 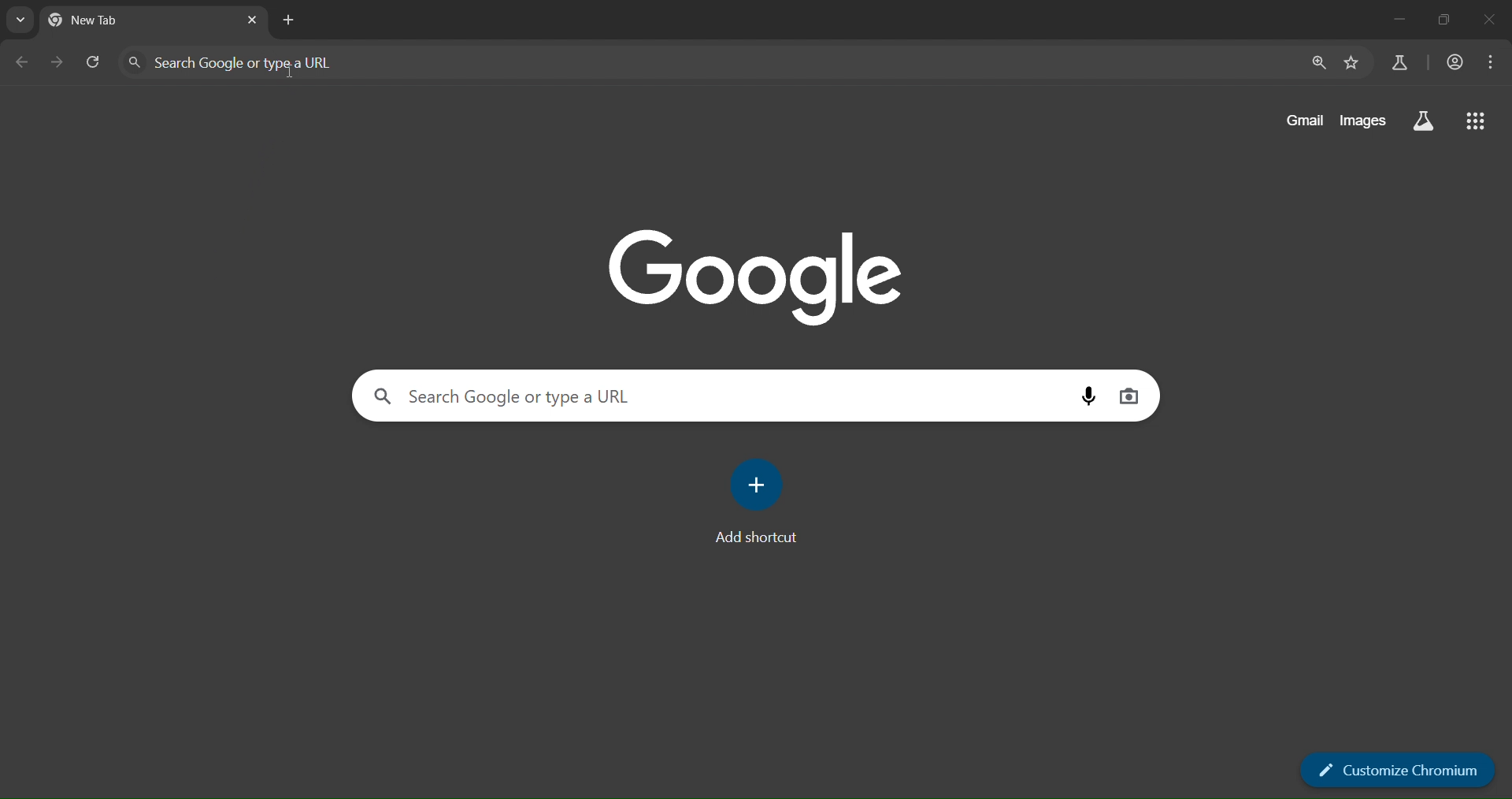 I want to click on image search, so click(x=1132, y=395).